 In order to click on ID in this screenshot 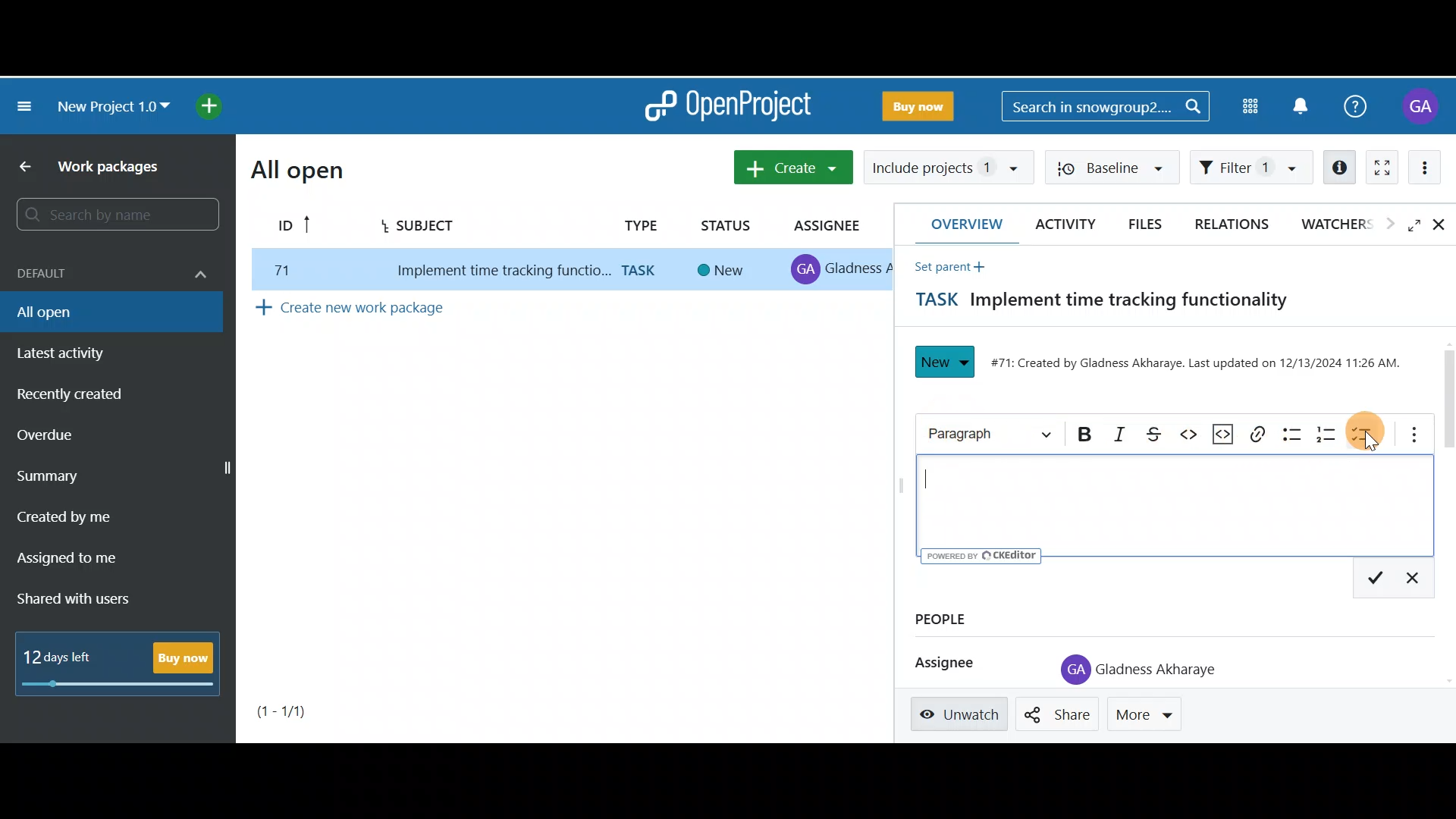, I will do `click(290, 227)`.